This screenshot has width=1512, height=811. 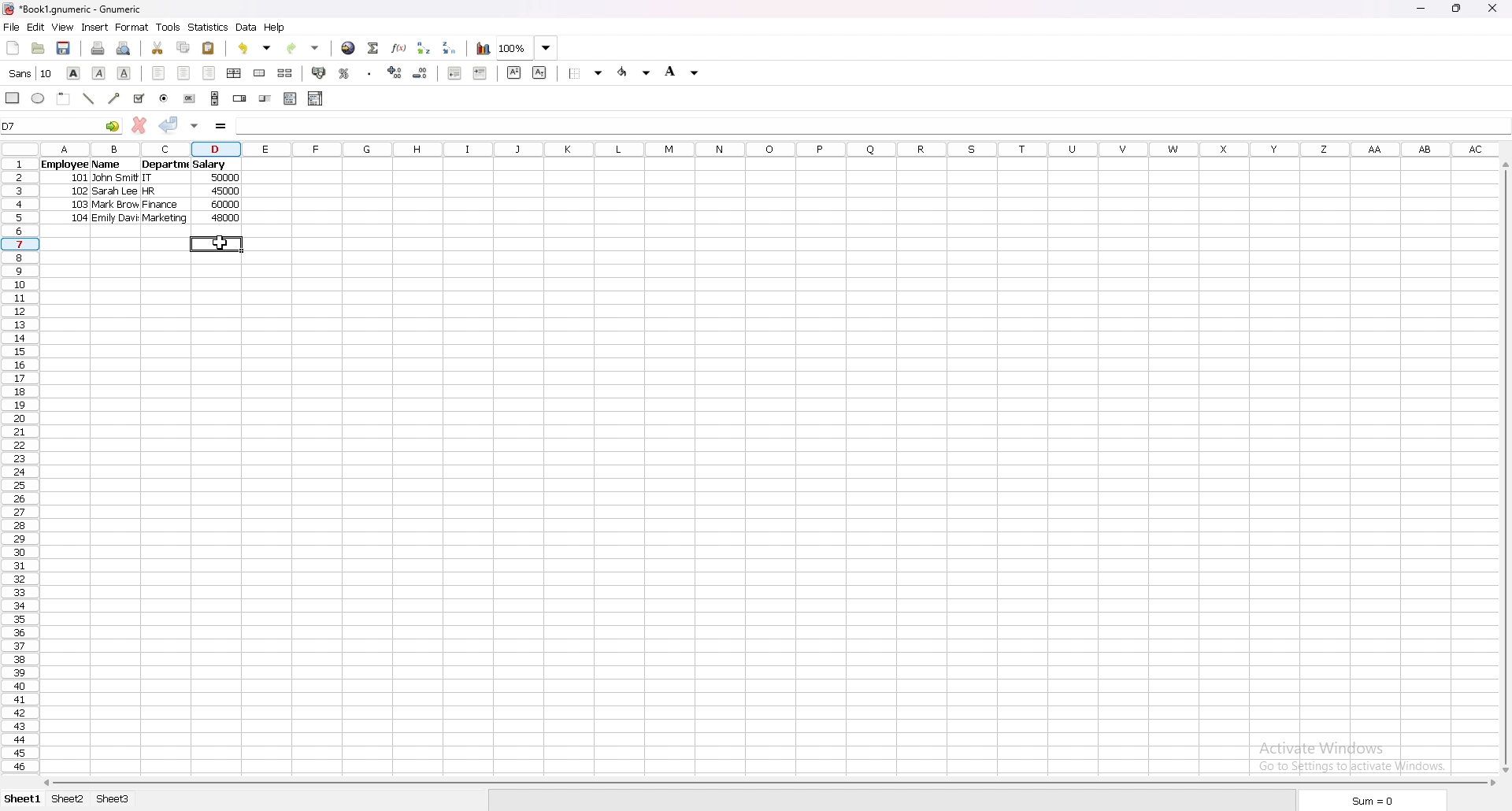 I want to click on background, so click(x=685, y=71).